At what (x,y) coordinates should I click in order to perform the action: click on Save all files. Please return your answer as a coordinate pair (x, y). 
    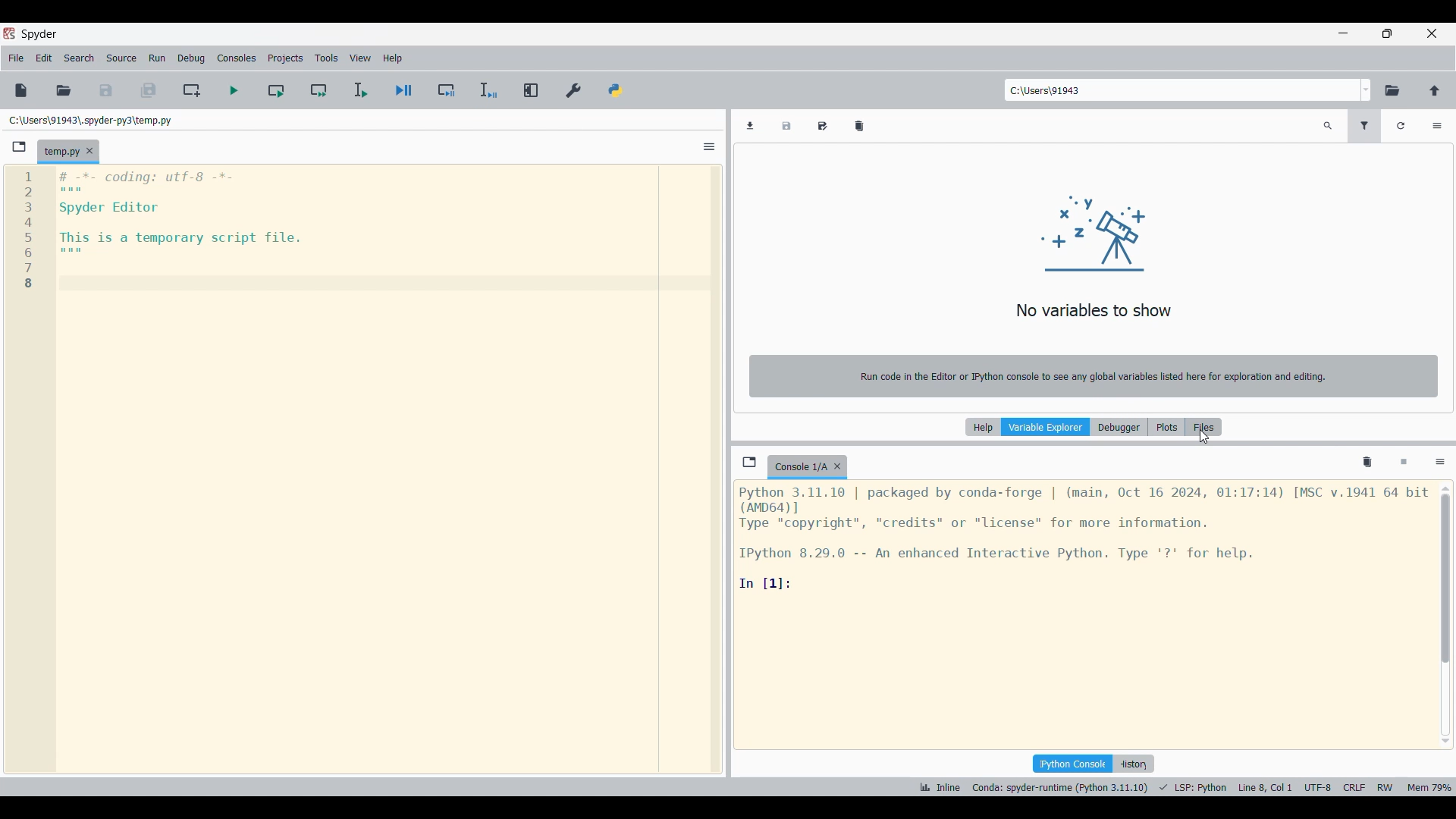
    Looking at the image, I should click on (148, 90).